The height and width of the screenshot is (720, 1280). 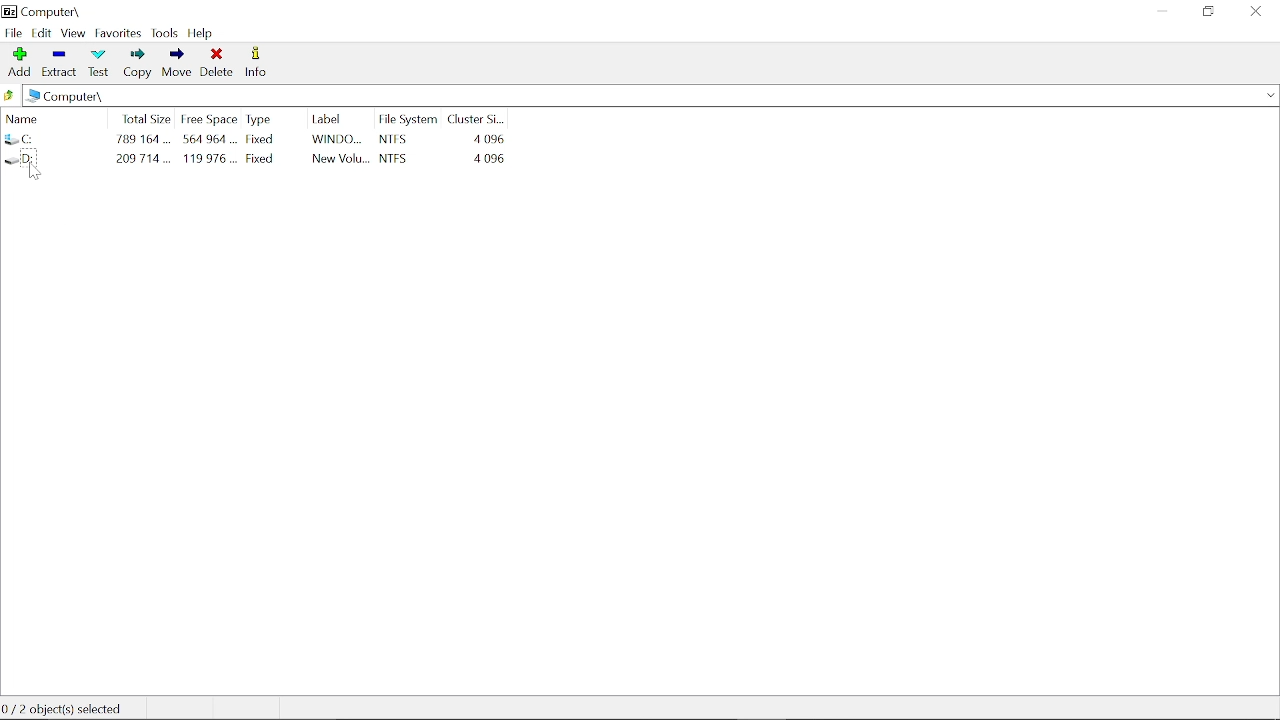 What do you see at coordinates (207, 118) in the screenshot?
I see `free space` at bounding box center [207, 118].